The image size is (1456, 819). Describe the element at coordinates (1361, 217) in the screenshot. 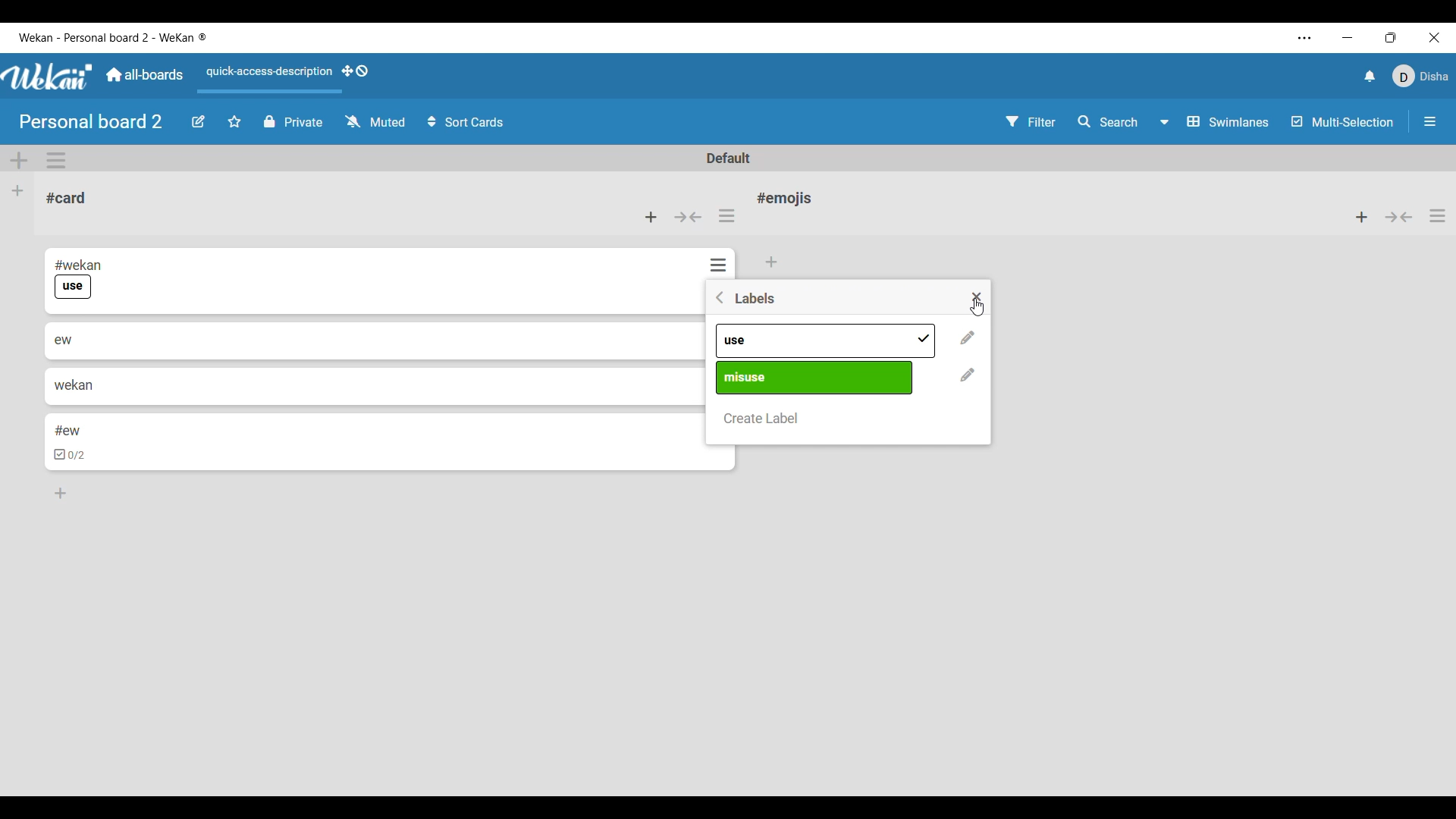

I see `Add card to top of list` at that location.